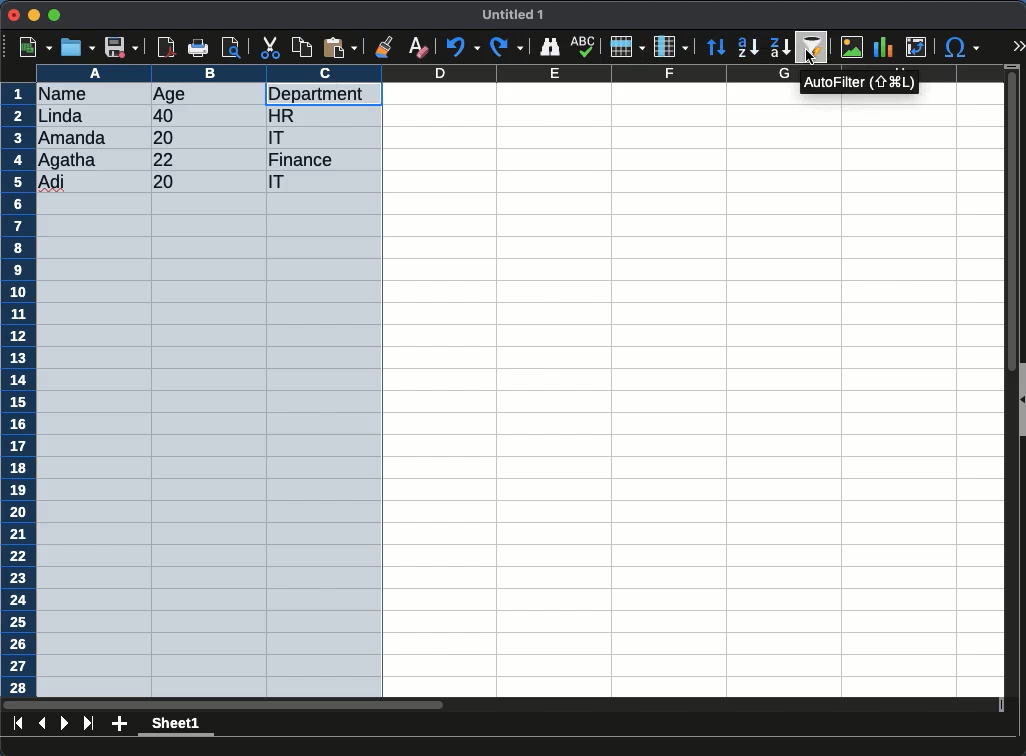 The width and height of the screenshot is (1026, 756). I want to click on collapse, so click(1020, 398).